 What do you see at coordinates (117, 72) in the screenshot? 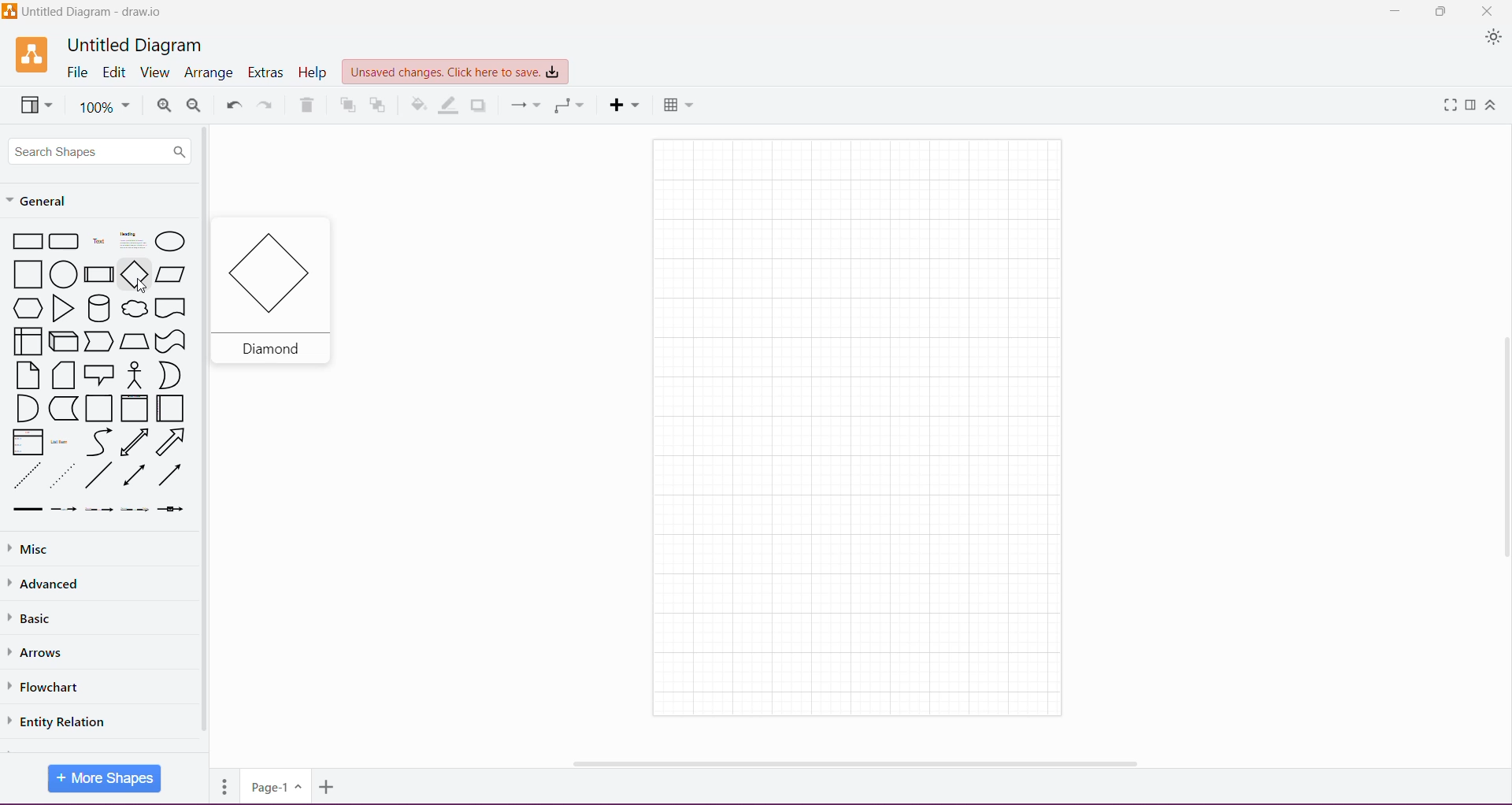
I see `Edit` at bounding box center [117, 72].